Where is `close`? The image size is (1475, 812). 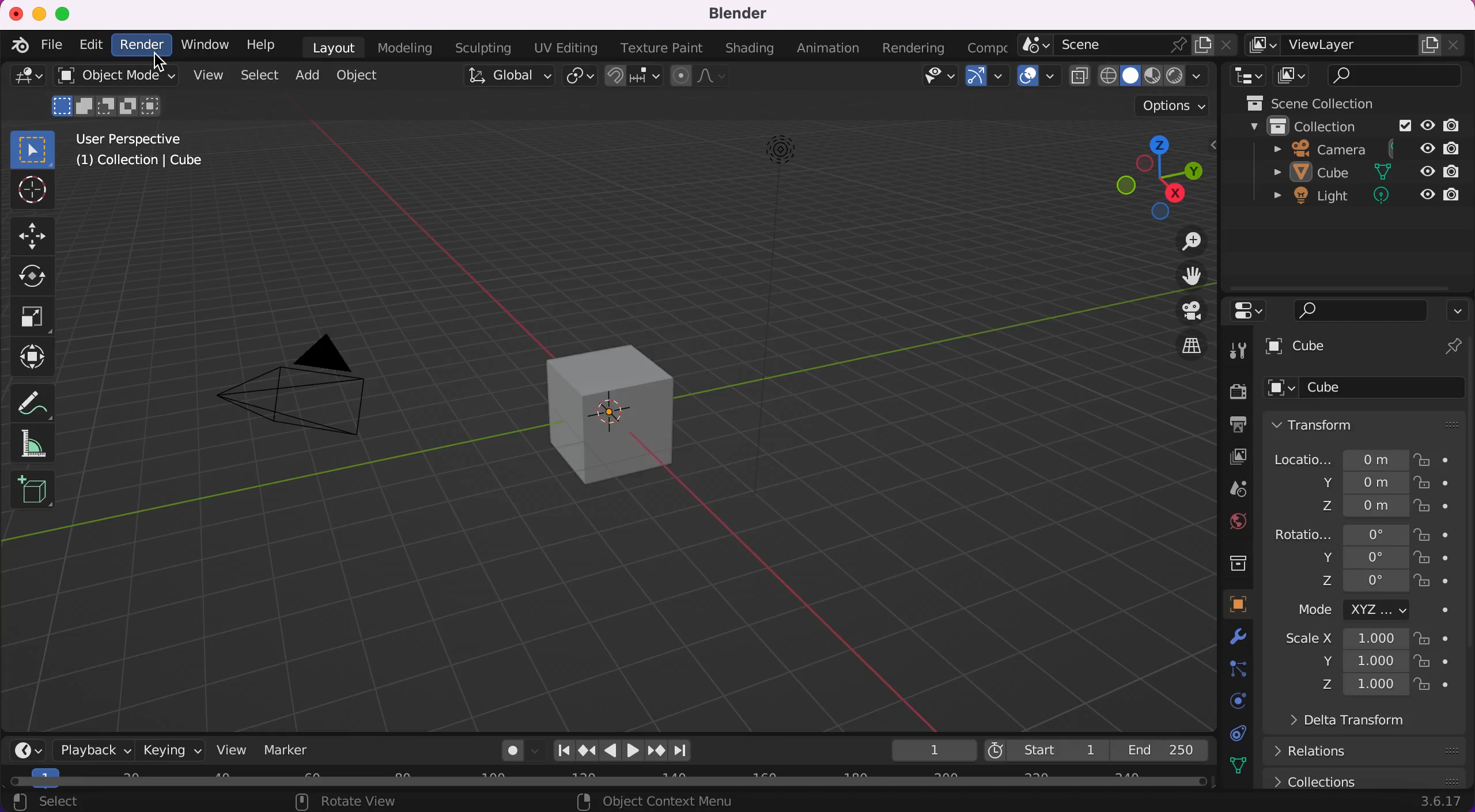
close is located at coordinates (14, 10).